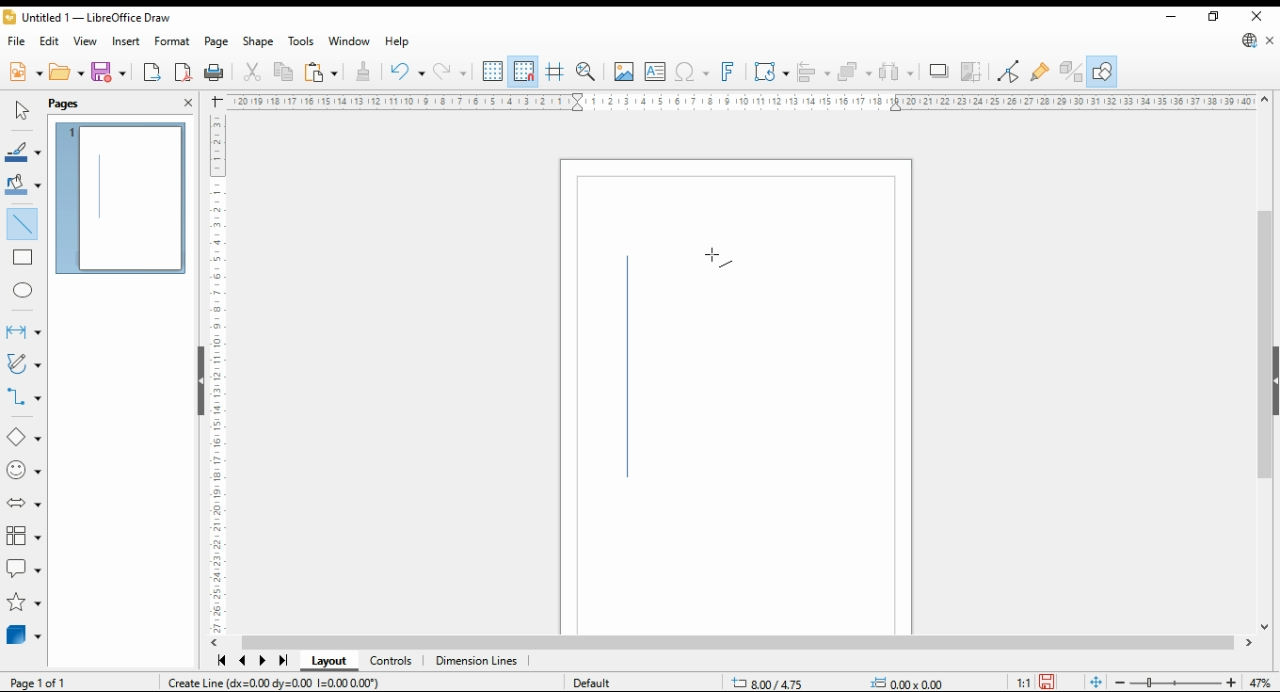  Describe the element at coordinates (692, 72) in the screenshot. I see `insert special characters` at that location.